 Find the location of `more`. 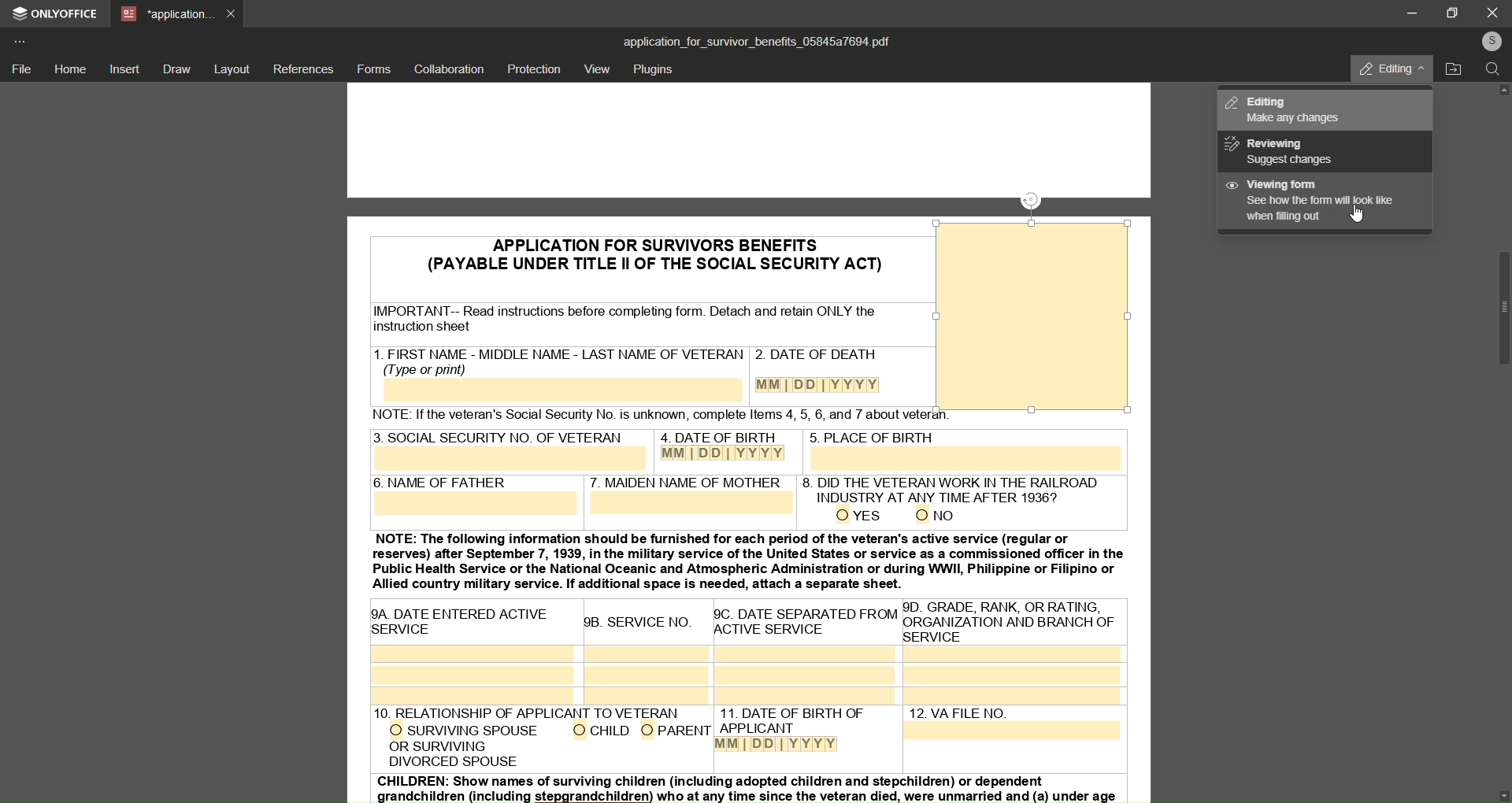

more is located at coordinates (23, 40).